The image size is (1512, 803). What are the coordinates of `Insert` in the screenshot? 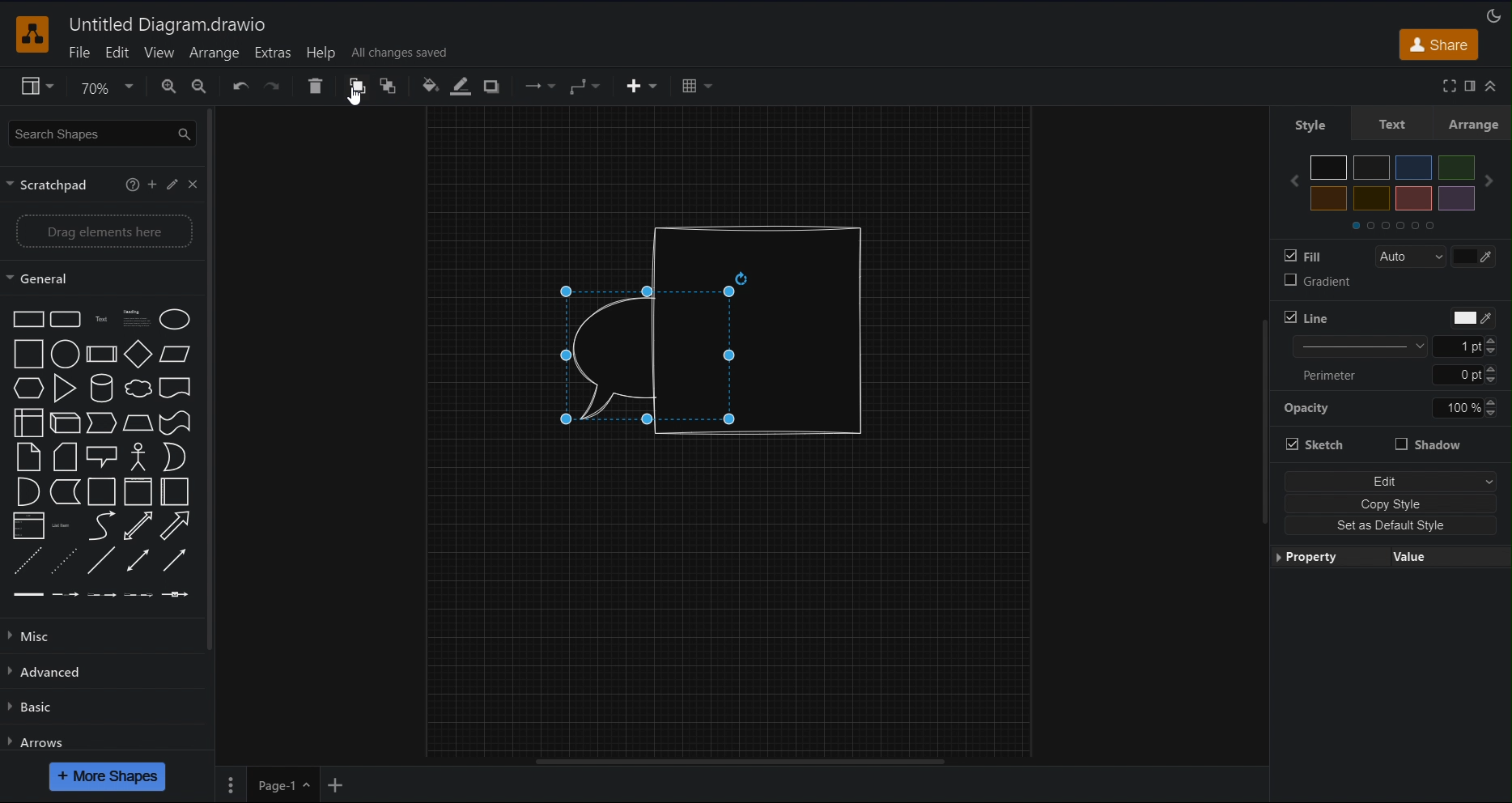 It's located at (645, 86).